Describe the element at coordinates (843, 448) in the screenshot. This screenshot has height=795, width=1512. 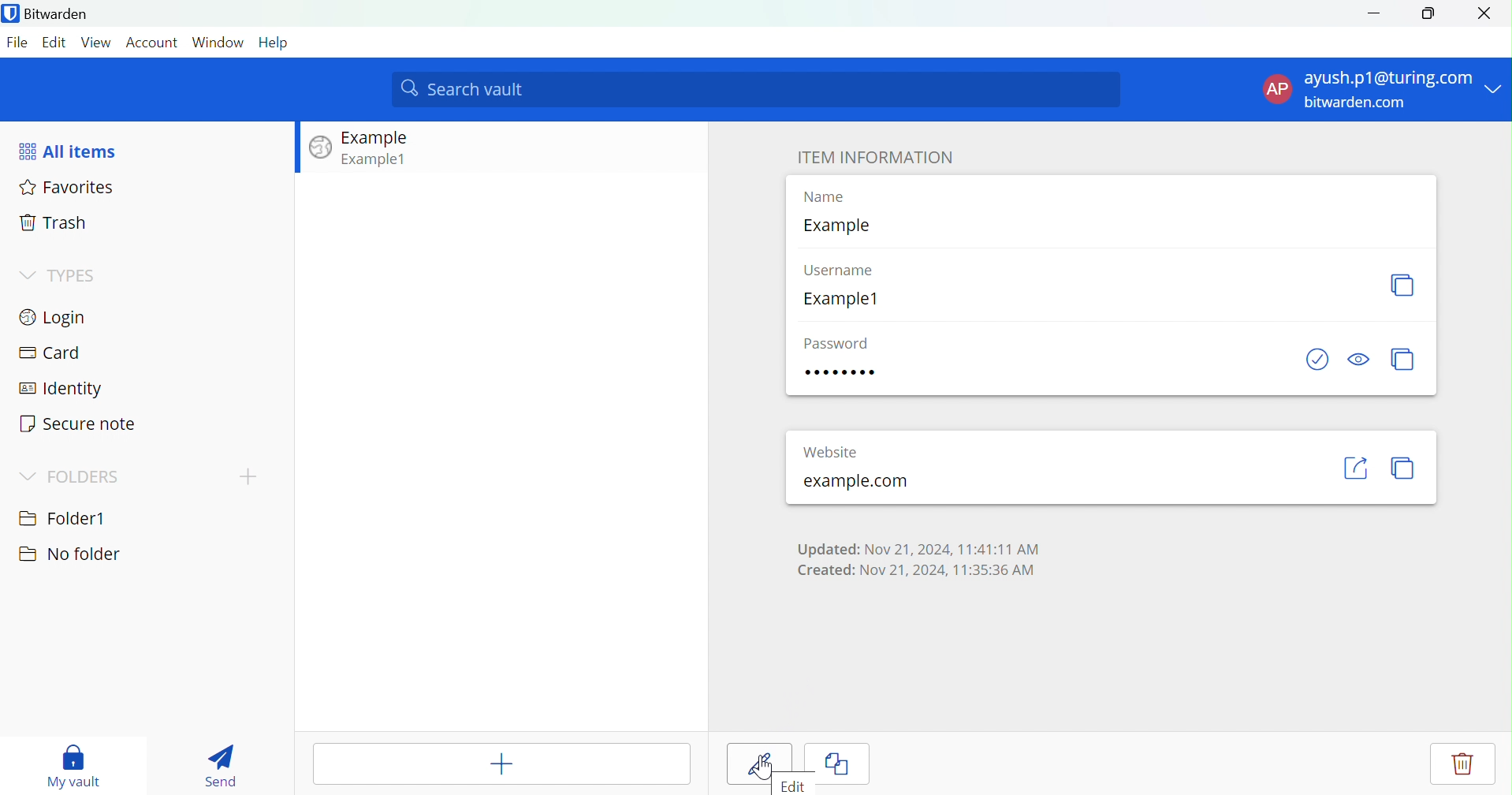
I see `Website` at that location.